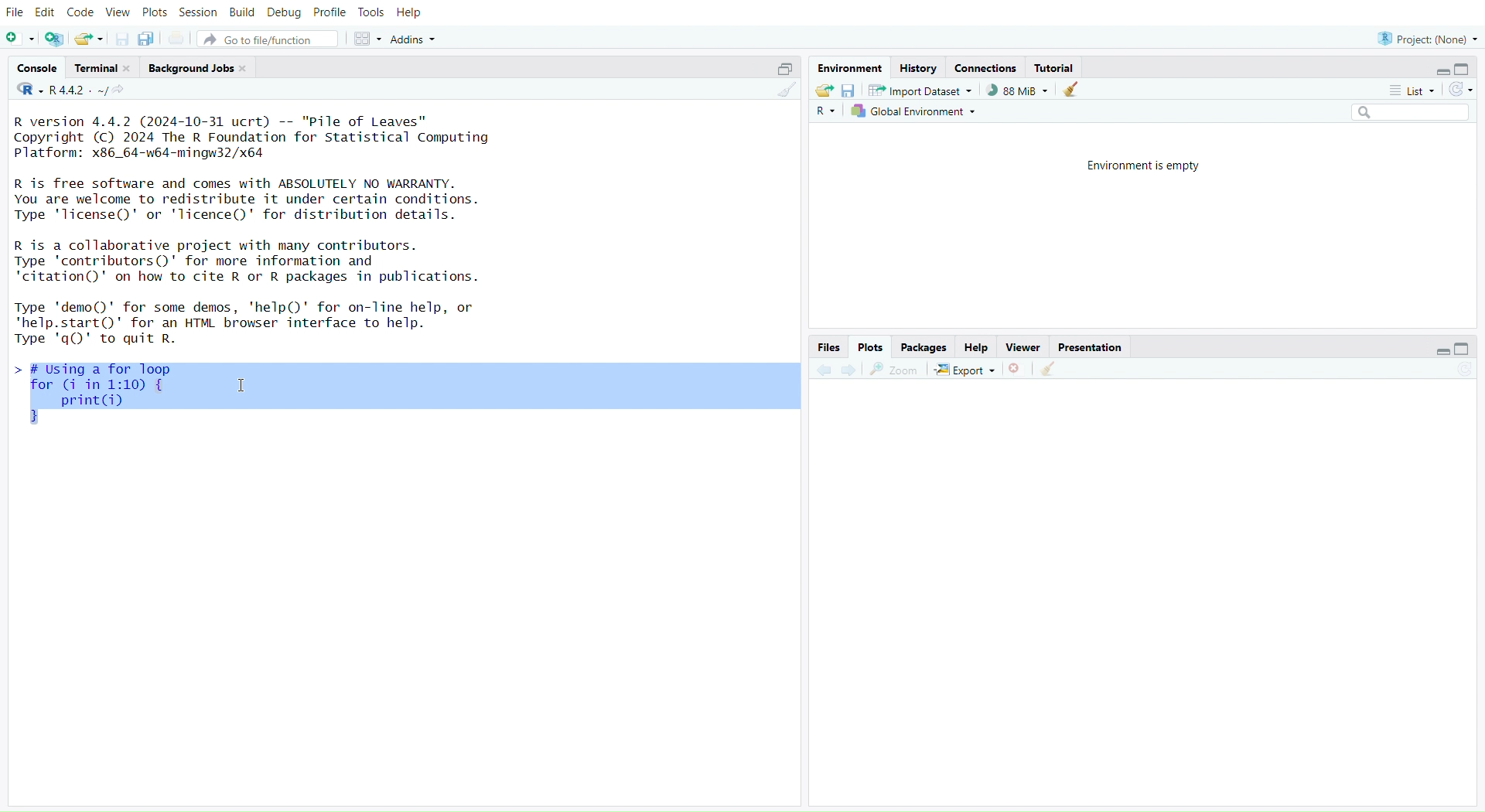 The height and width of the screenshot is (812, 1485). I want to click on expand, so click(1440, 352).